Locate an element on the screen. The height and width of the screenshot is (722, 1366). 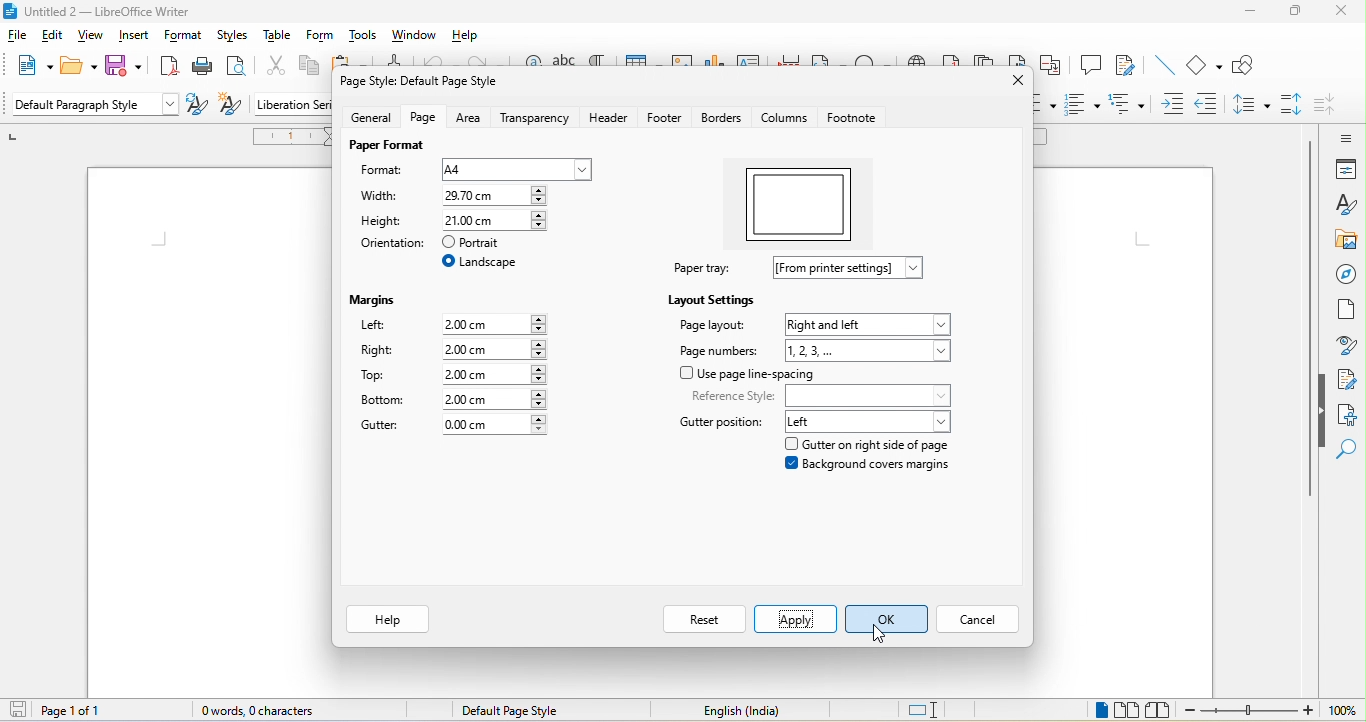
minimize is located at coordinates (1250, 15).